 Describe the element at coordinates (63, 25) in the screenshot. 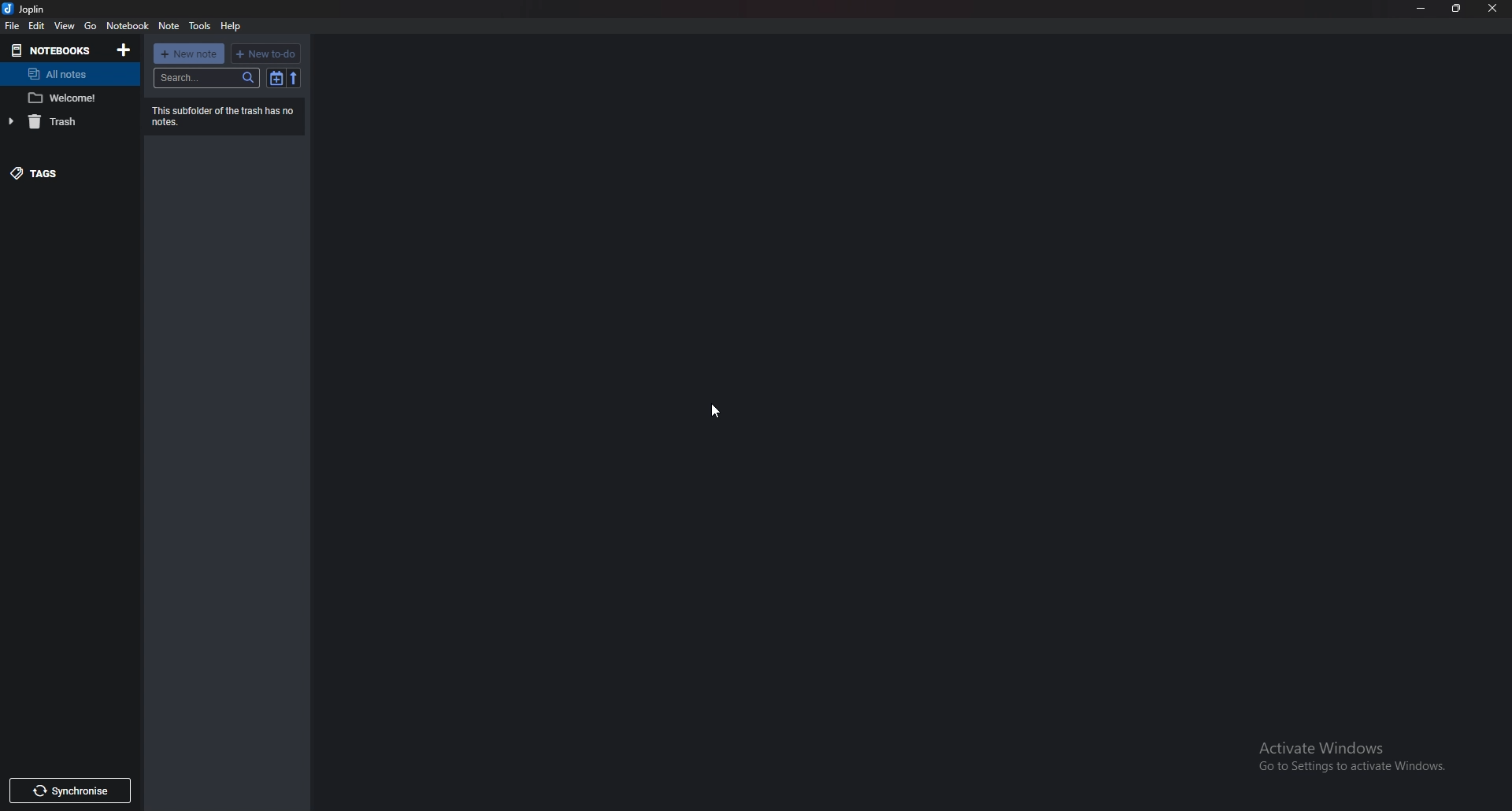

I see `view` at that location.